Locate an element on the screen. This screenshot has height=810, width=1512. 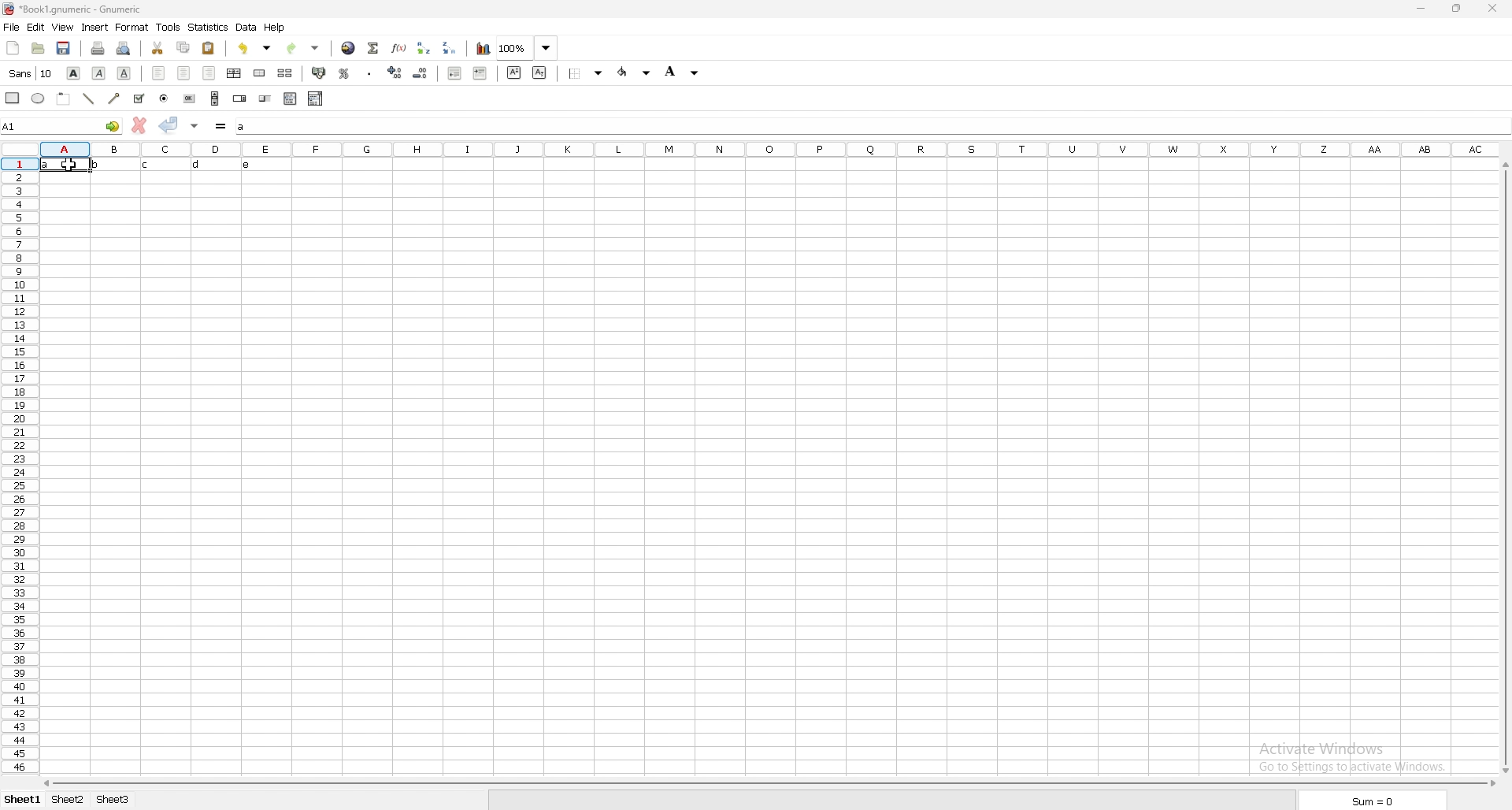
new is located at coordinates (12, 47).